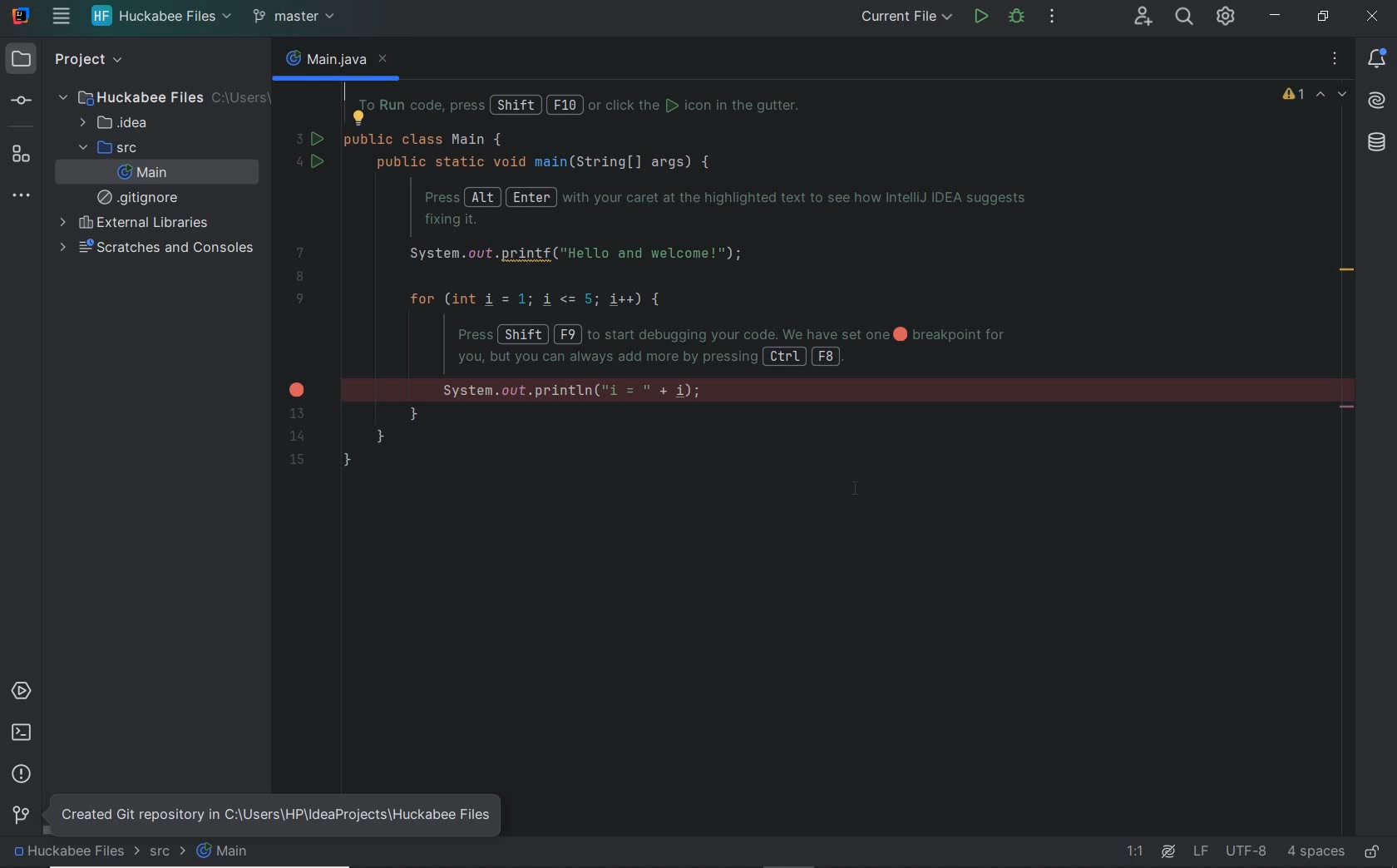 This screenshot has width=1397, height=868. Describe the element at coordinates (981, 17) in the screenshot. I see `run` at that location.